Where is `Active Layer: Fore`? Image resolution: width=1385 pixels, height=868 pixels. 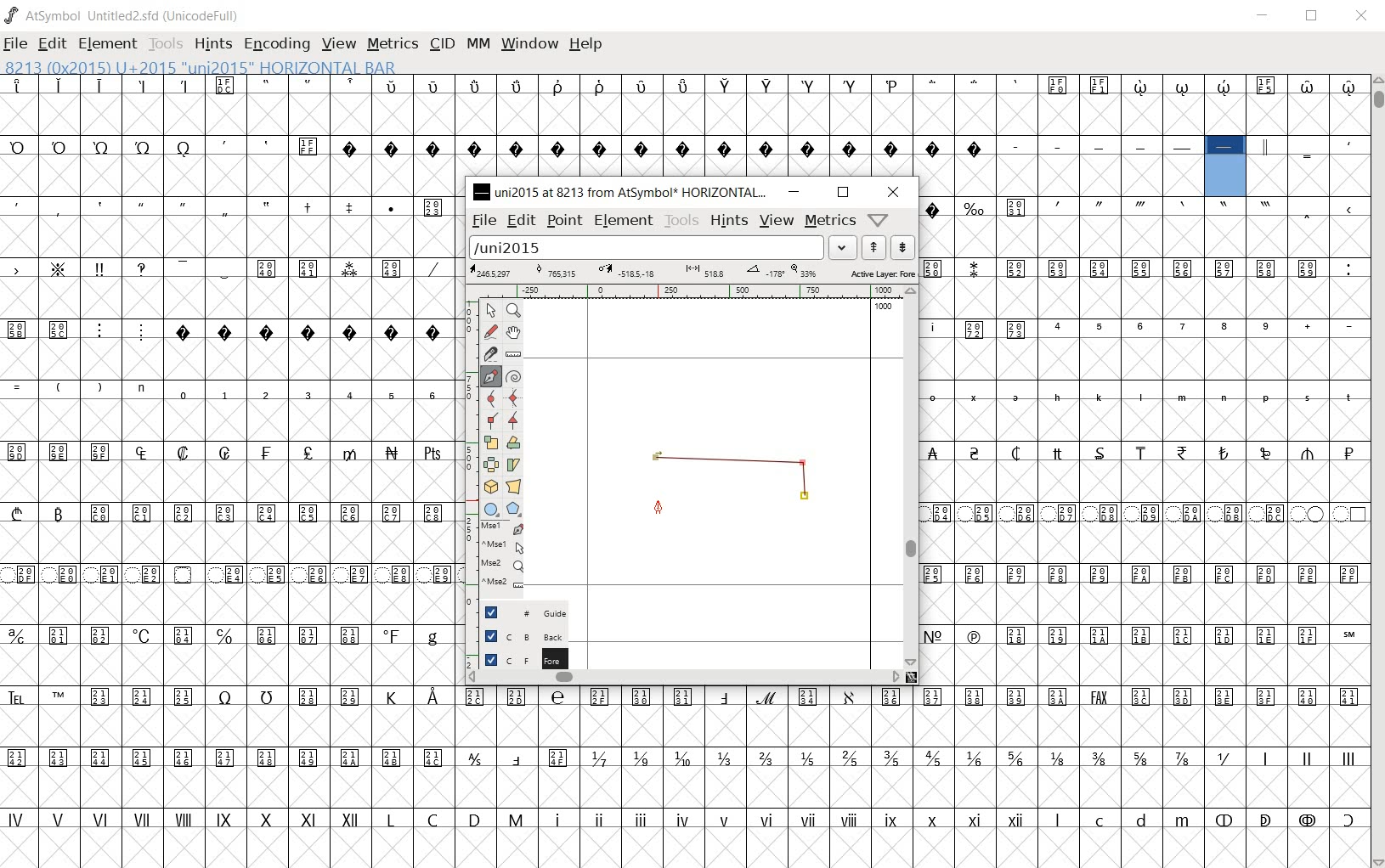 Active Layer: Fore is located at coordinates (692, 273).